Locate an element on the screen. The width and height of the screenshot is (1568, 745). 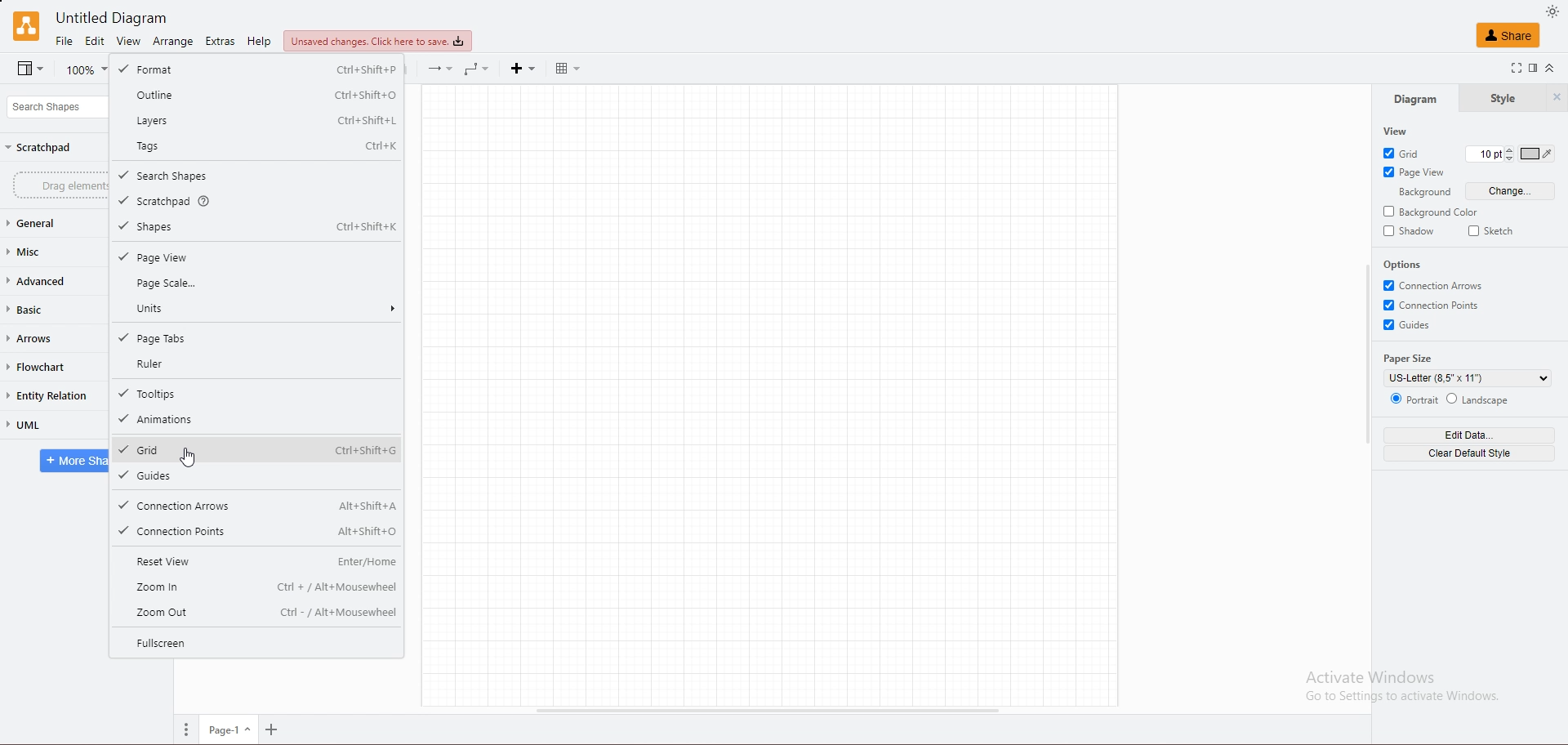
diagram is located at coordinates (1414, 98).